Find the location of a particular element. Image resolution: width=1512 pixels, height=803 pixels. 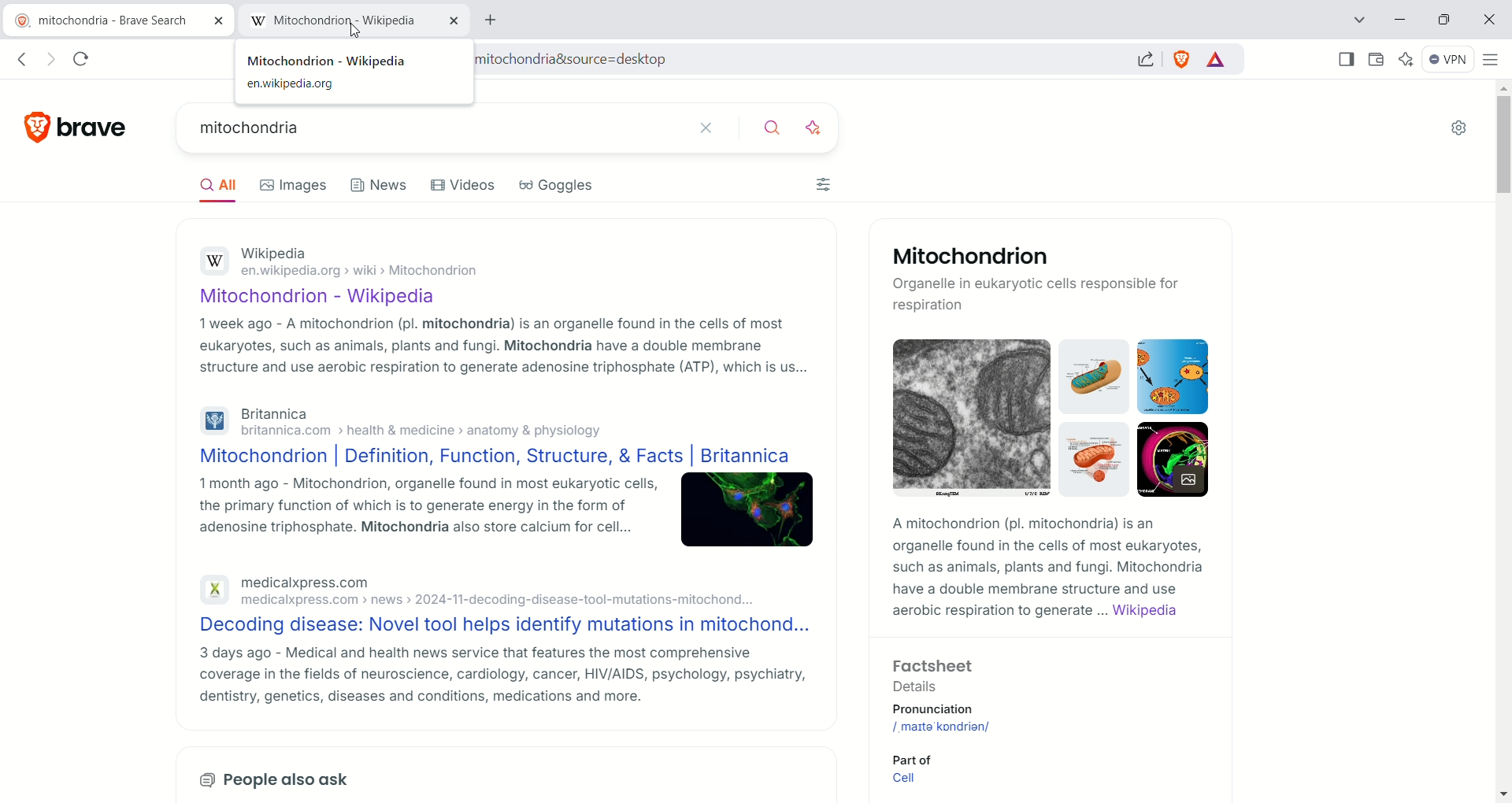

vertical scroll bar is located at coordinates (1499, 442).